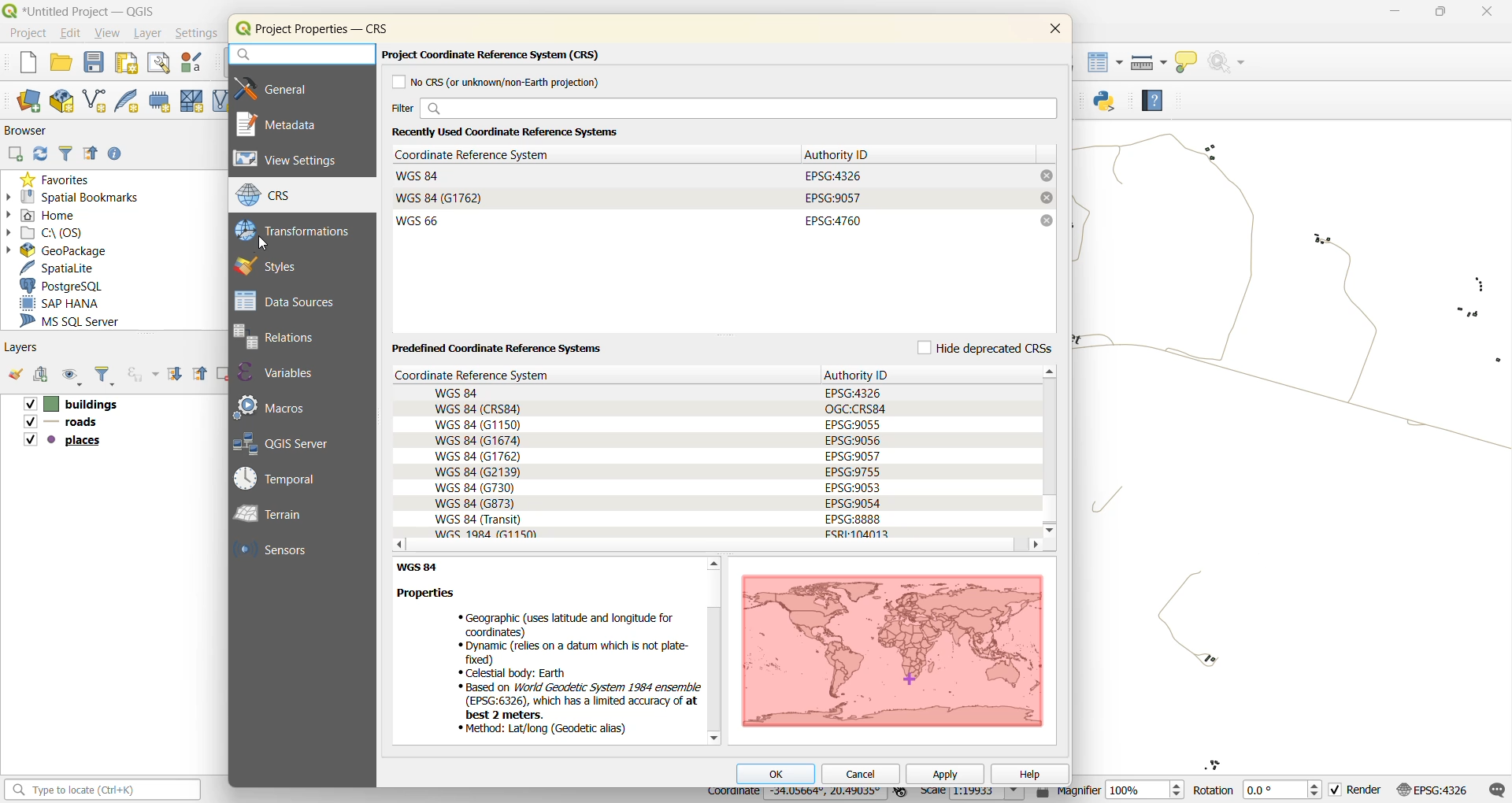  Describe the element at coordinates (832, 220) in the screenshot. I see `EPSG:4760` at that location.